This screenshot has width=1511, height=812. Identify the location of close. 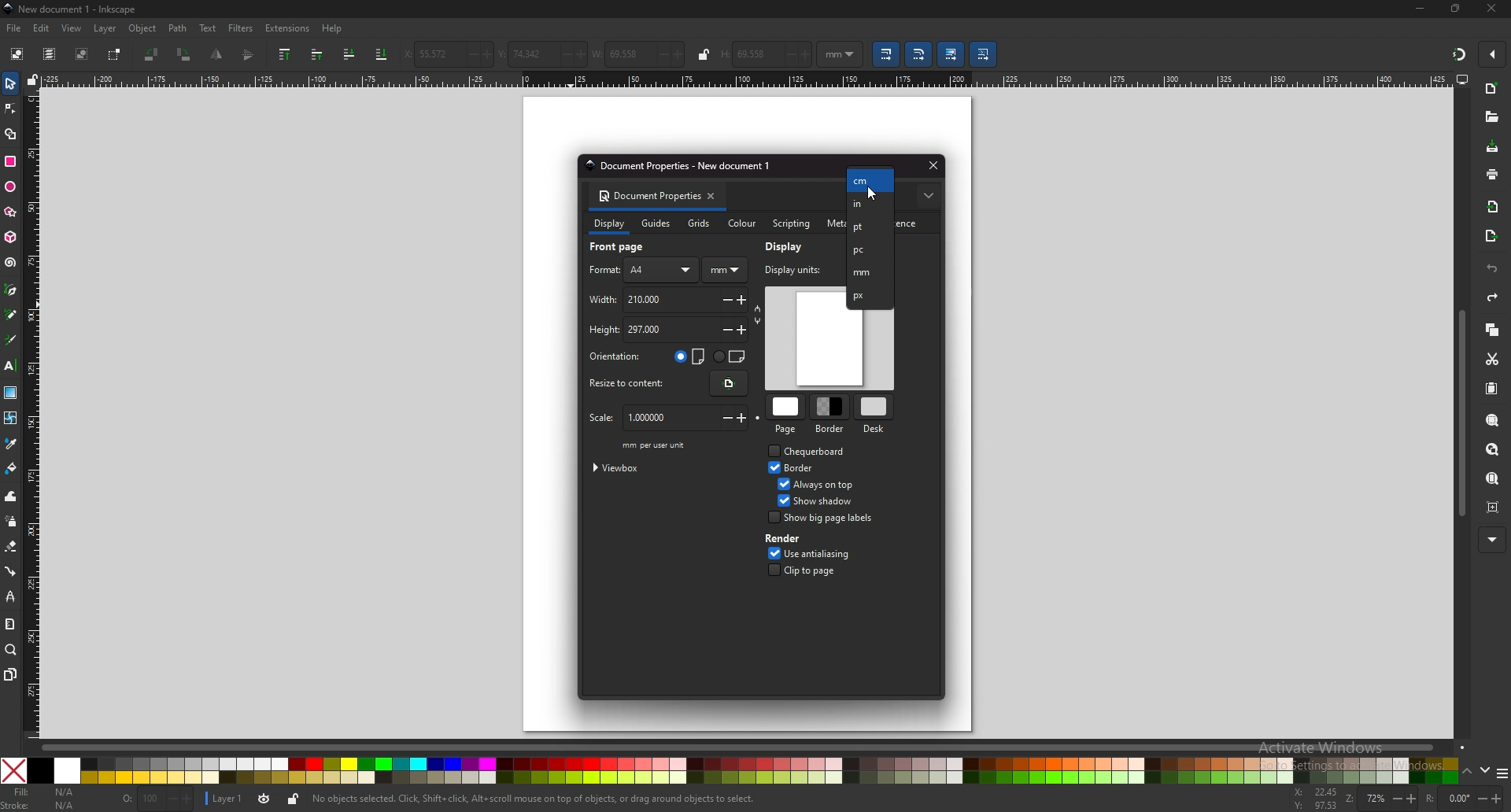
(1491, 9).